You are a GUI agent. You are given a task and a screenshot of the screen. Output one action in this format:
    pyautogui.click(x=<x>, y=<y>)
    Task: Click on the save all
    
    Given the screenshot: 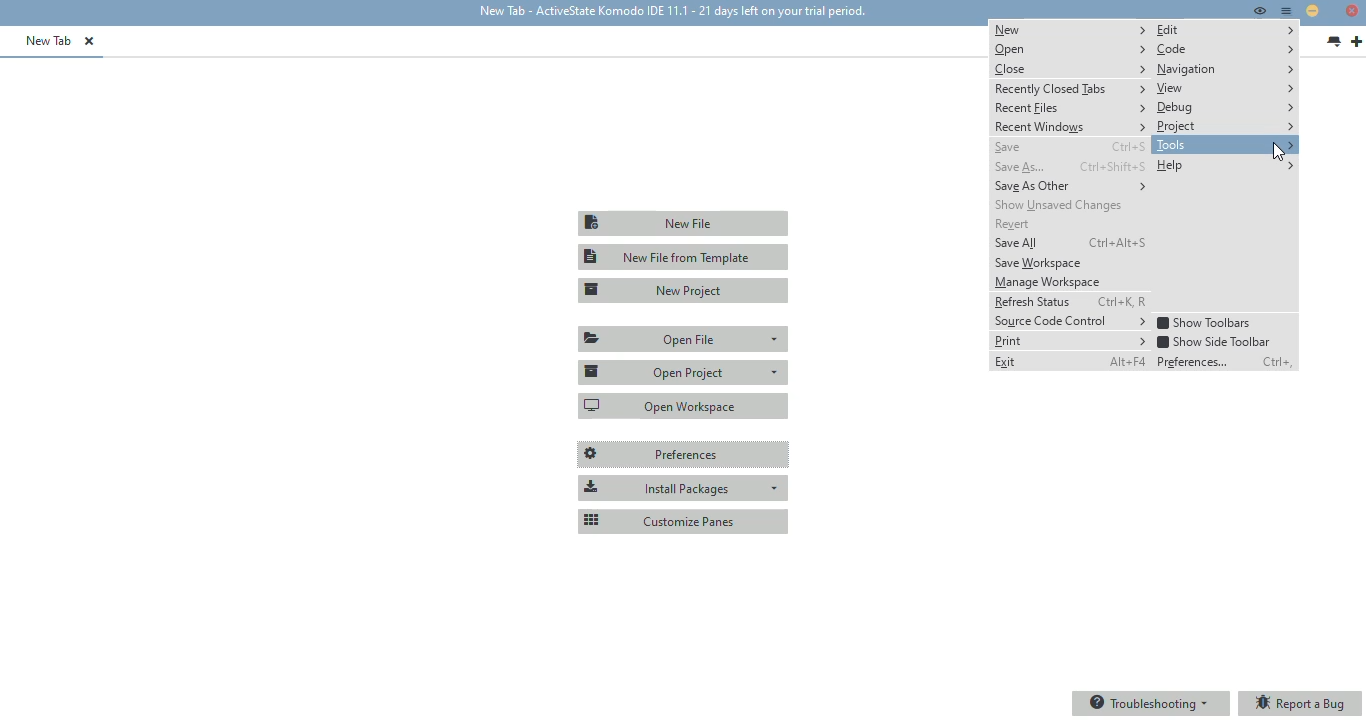 What is the action you would take?
    pyautogui.click(x=1016, y=243)
    